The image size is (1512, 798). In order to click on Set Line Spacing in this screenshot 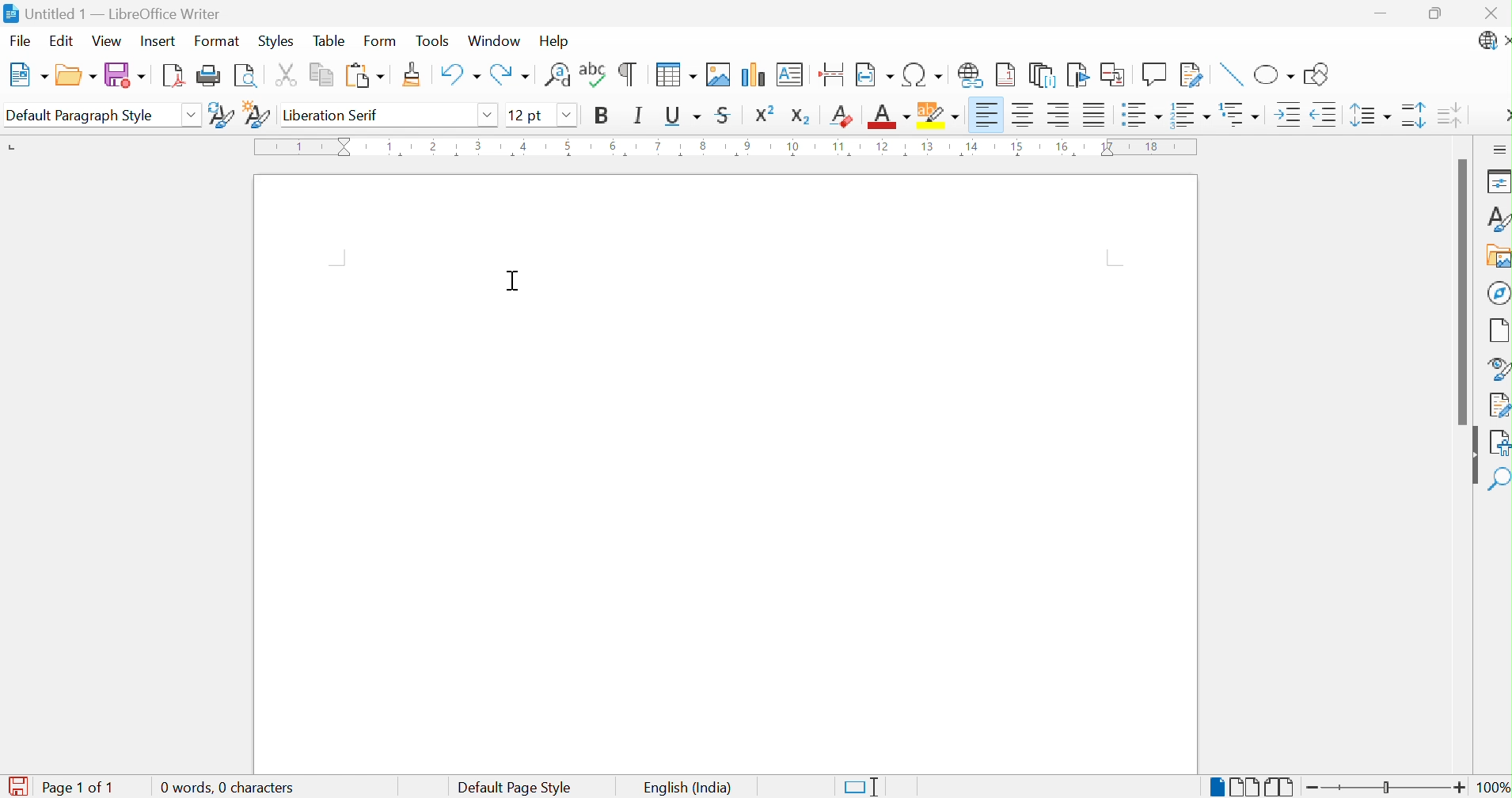, I will do `click(1370, 117)`.